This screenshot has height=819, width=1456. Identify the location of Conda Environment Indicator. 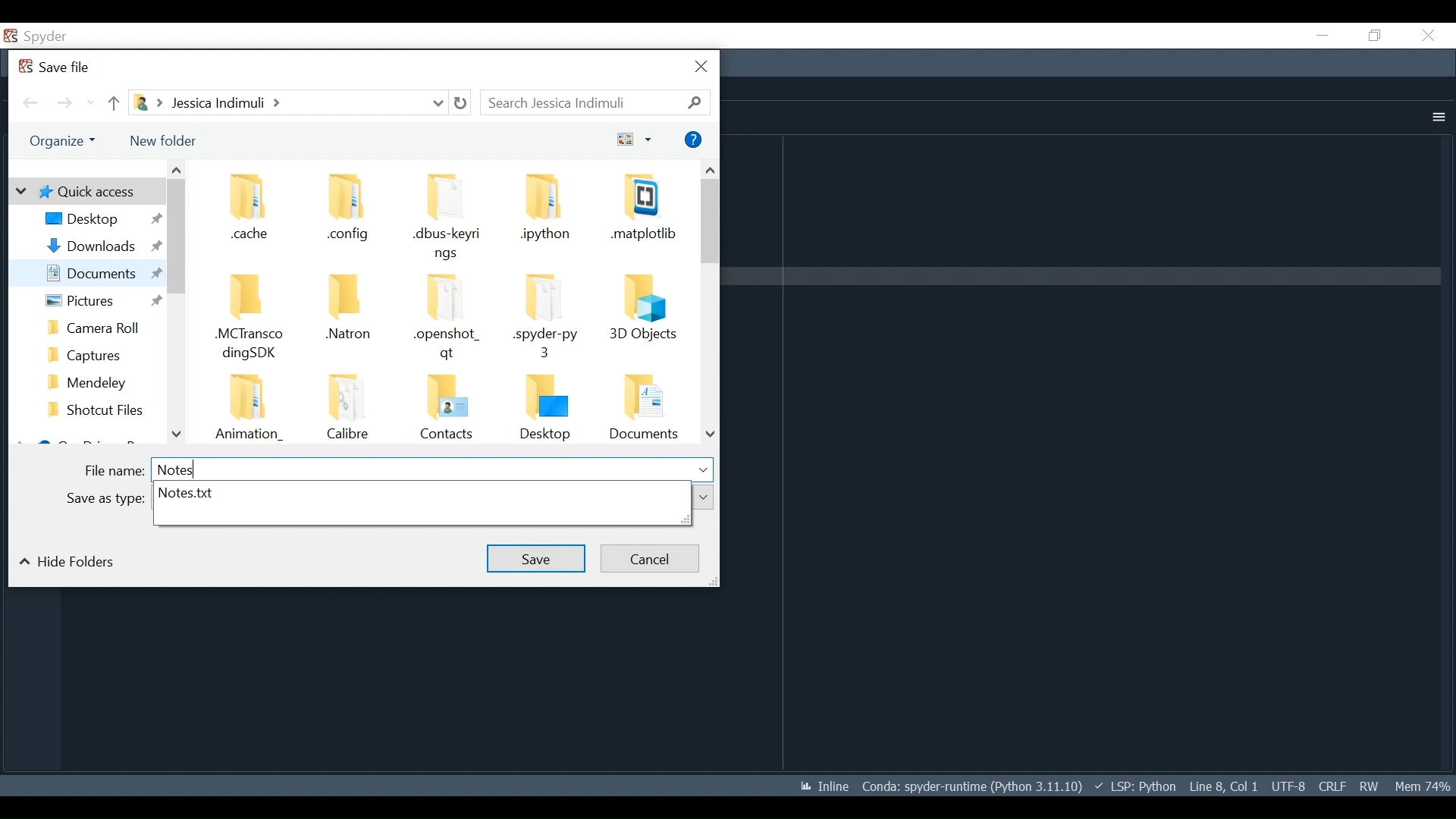
(970, 786).